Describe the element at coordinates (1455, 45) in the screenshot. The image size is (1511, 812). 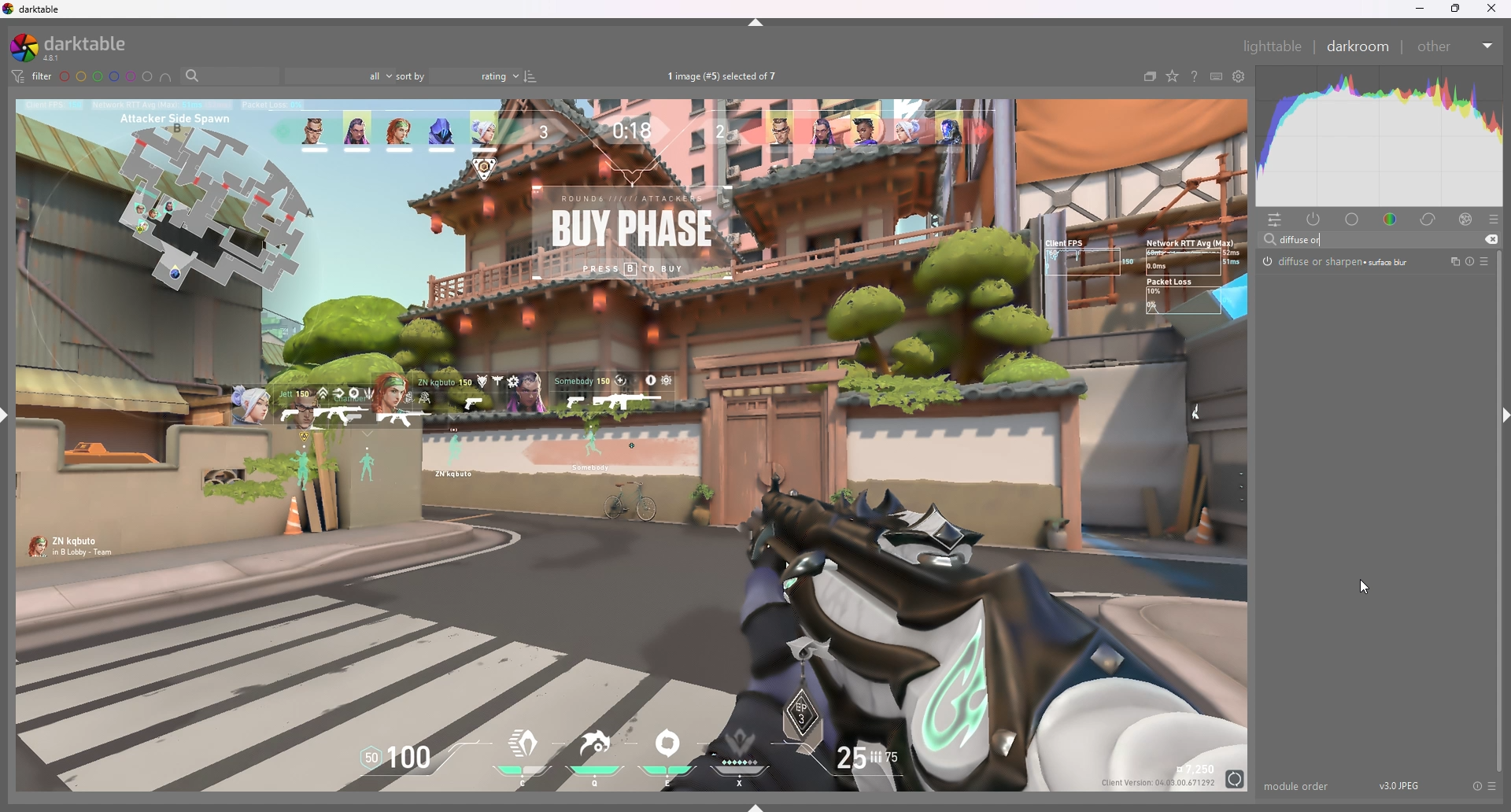
I see `other` at that location.